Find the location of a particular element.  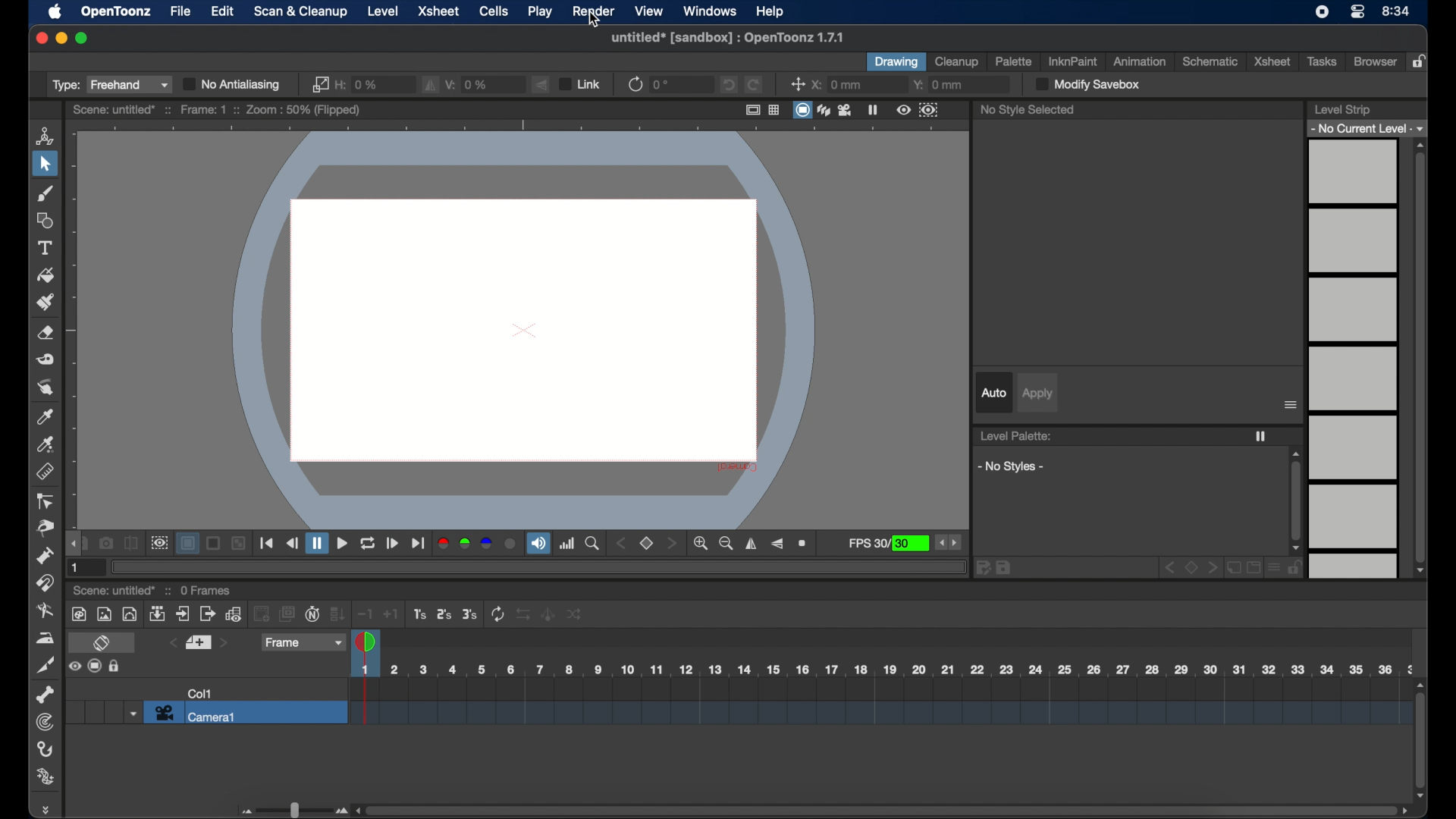

toggle xsheet is located at coordinates (104, 644).